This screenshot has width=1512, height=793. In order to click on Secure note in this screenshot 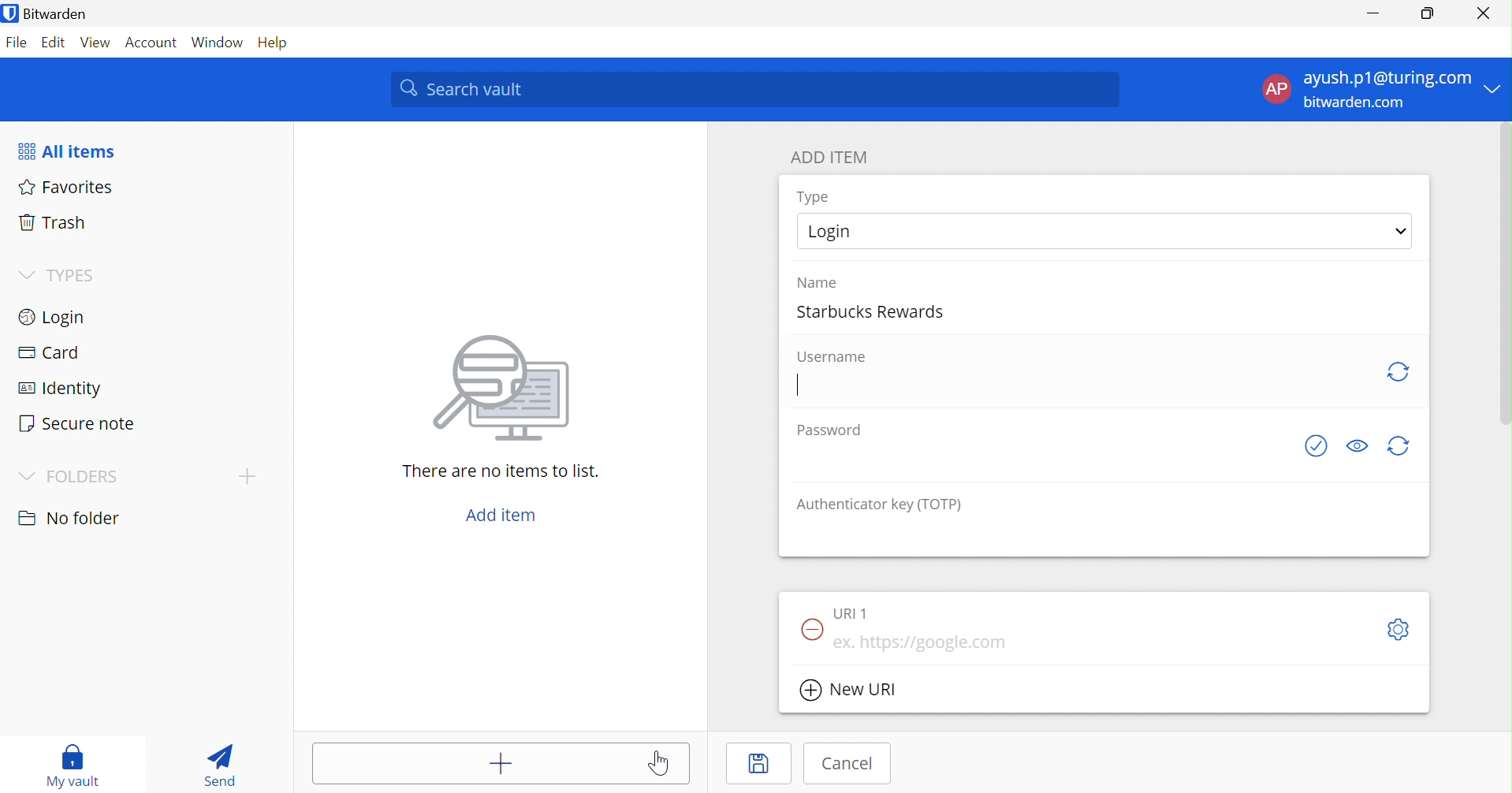, I will do `click(77, 423)`.